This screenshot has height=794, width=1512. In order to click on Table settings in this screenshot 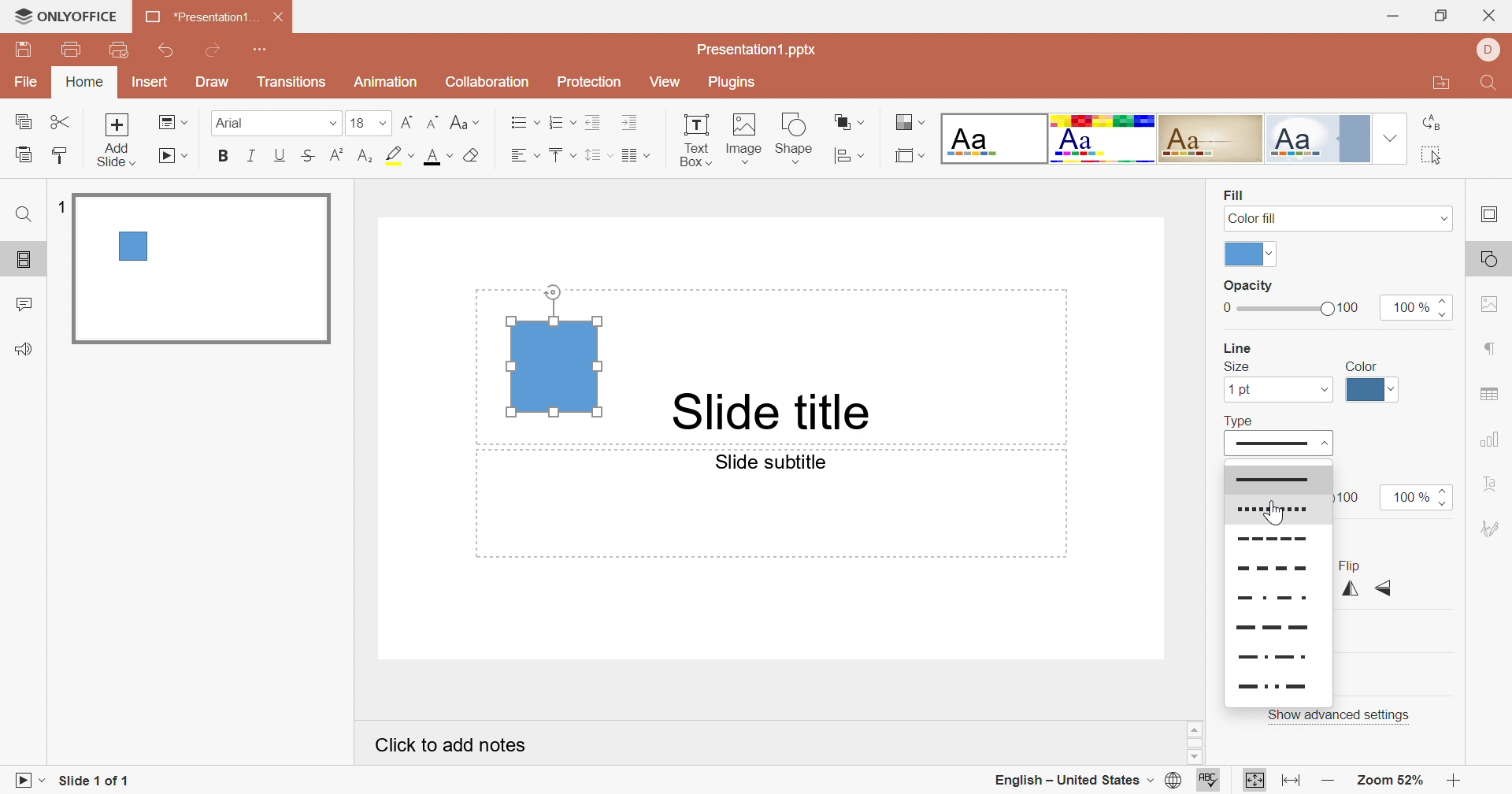, I will do `click(1490, 393)`.